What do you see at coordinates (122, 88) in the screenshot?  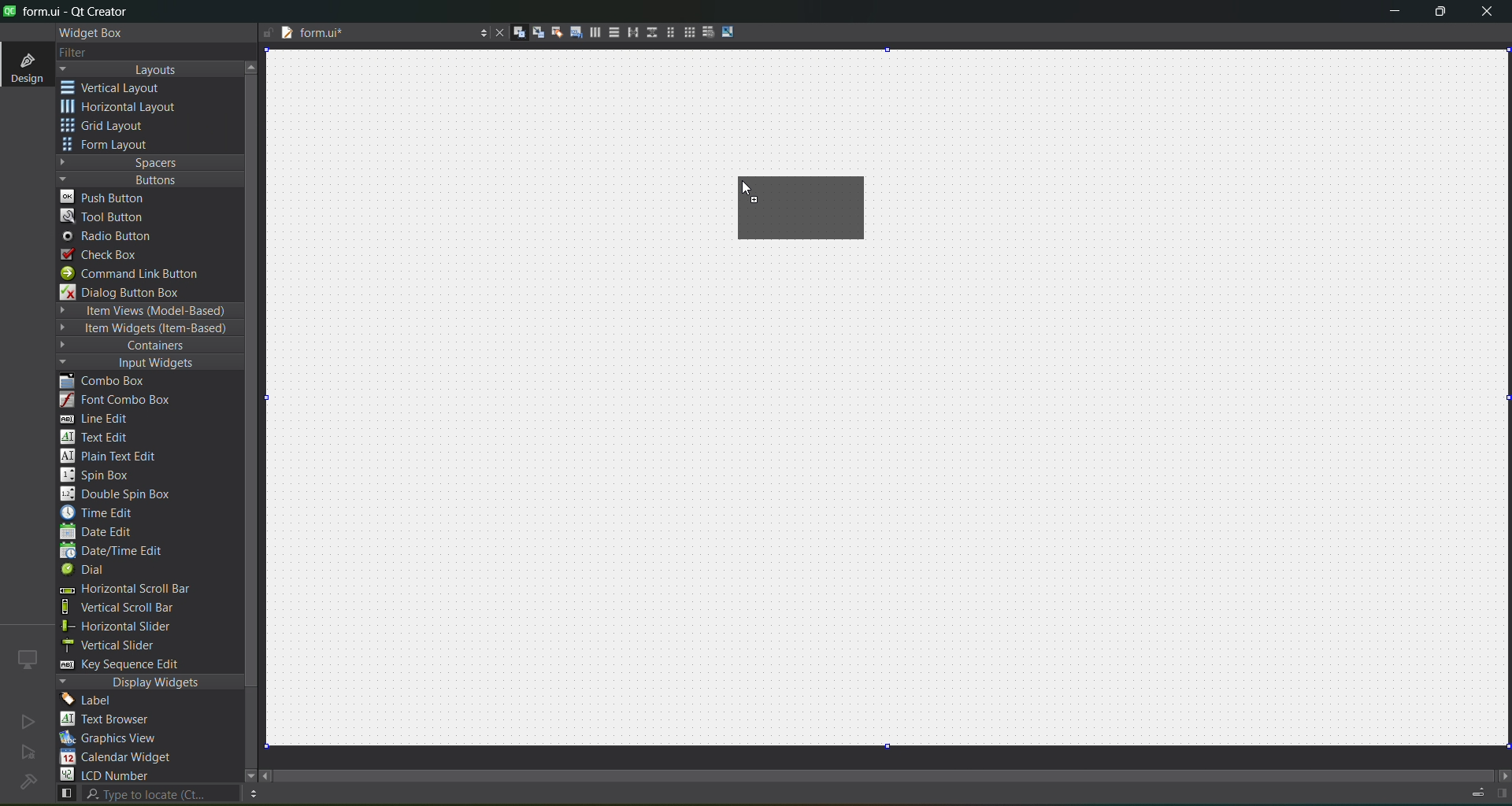 I see `vertical` at bounding box center [122, 88].